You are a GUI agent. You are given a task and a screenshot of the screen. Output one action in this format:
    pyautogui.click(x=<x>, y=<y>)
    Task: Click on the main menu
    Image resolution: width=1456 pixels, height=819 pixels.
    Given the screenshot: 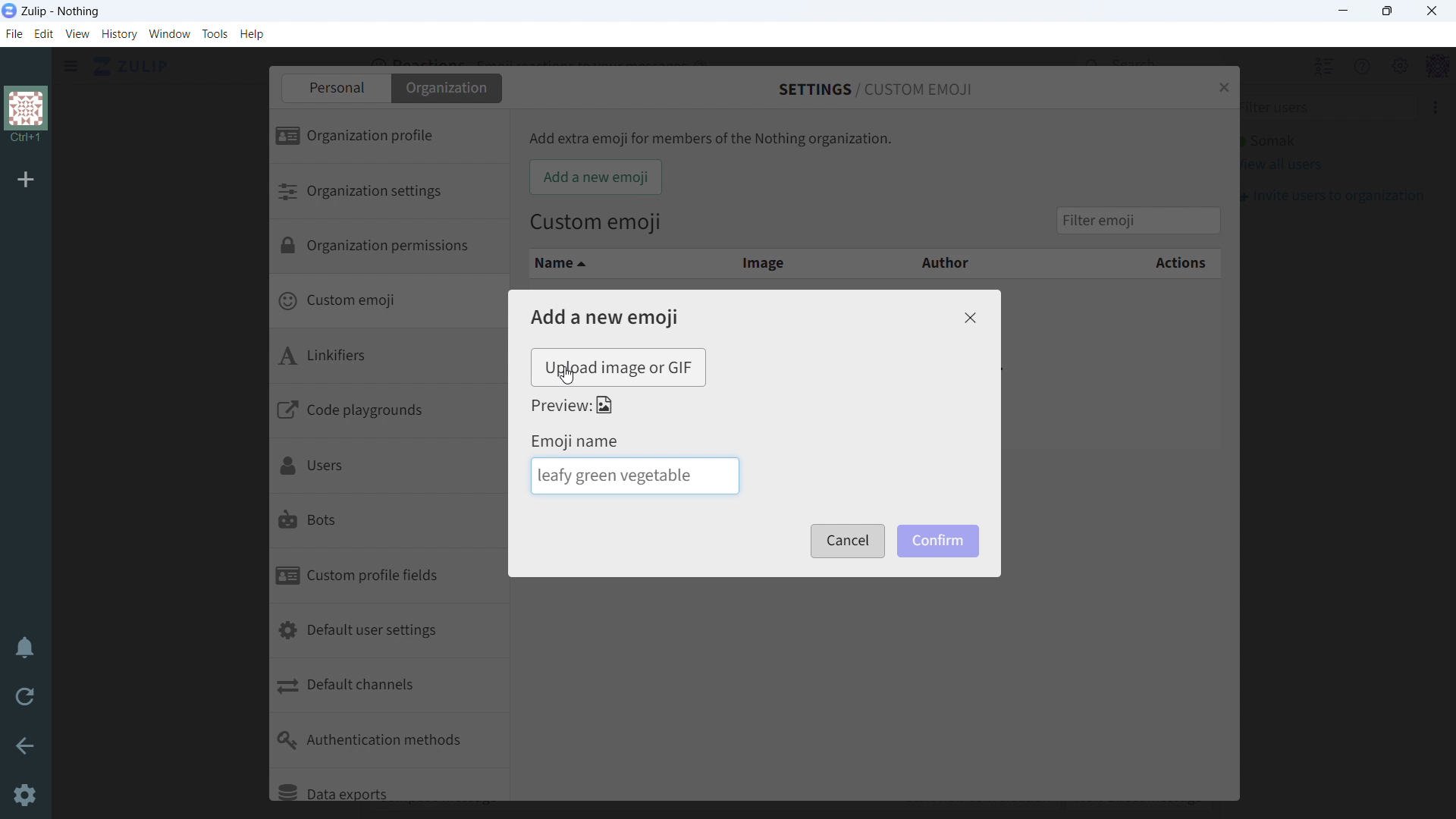 What is the action you would take?
    pyautogui.click(x=1383, y=65)
    